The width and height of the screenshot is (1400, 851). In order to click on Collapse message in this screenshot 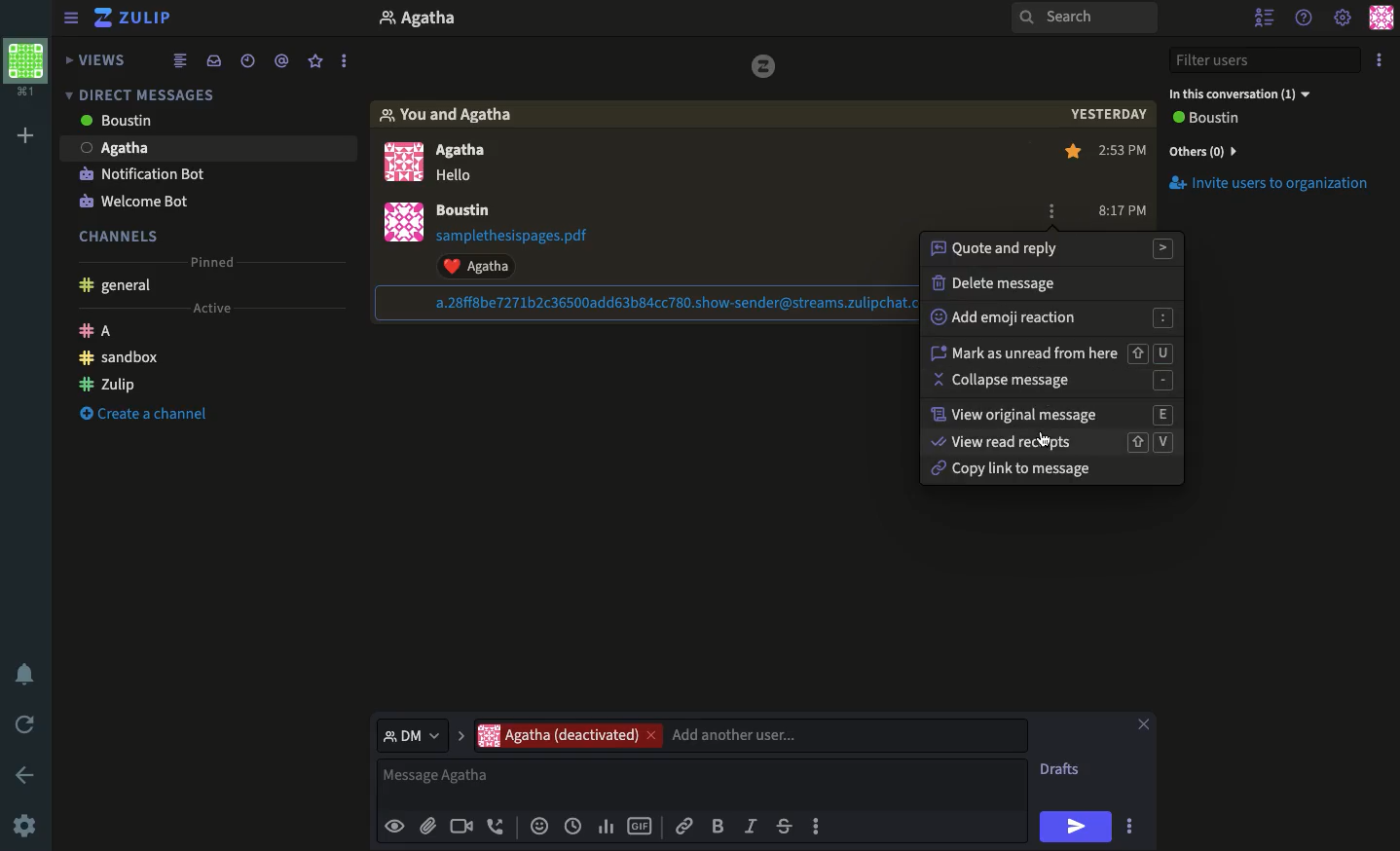, I will do `click(1050, 378)`.